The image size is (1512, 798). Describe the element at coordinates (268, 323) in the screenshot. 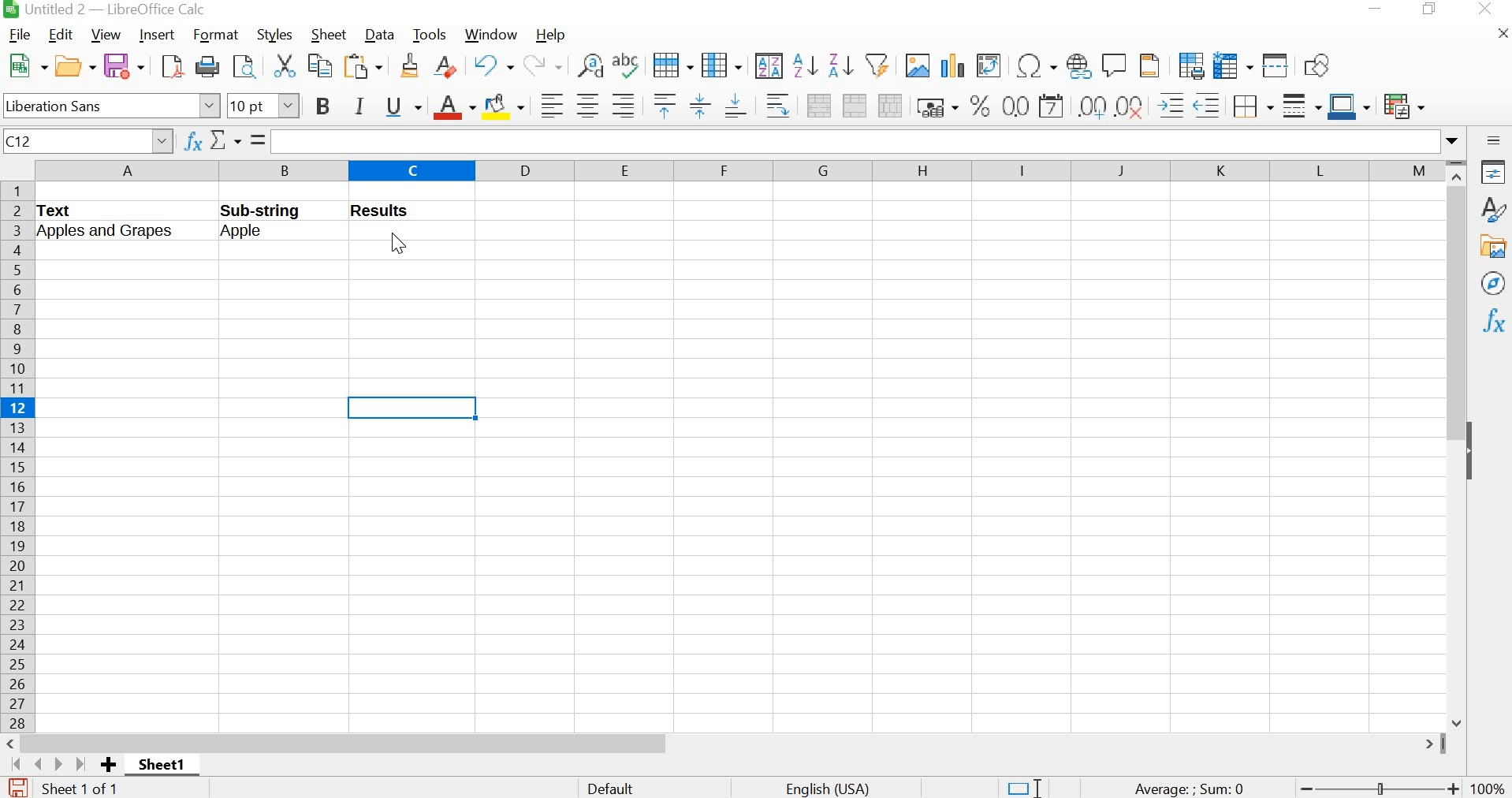

I see `cells` at that location.